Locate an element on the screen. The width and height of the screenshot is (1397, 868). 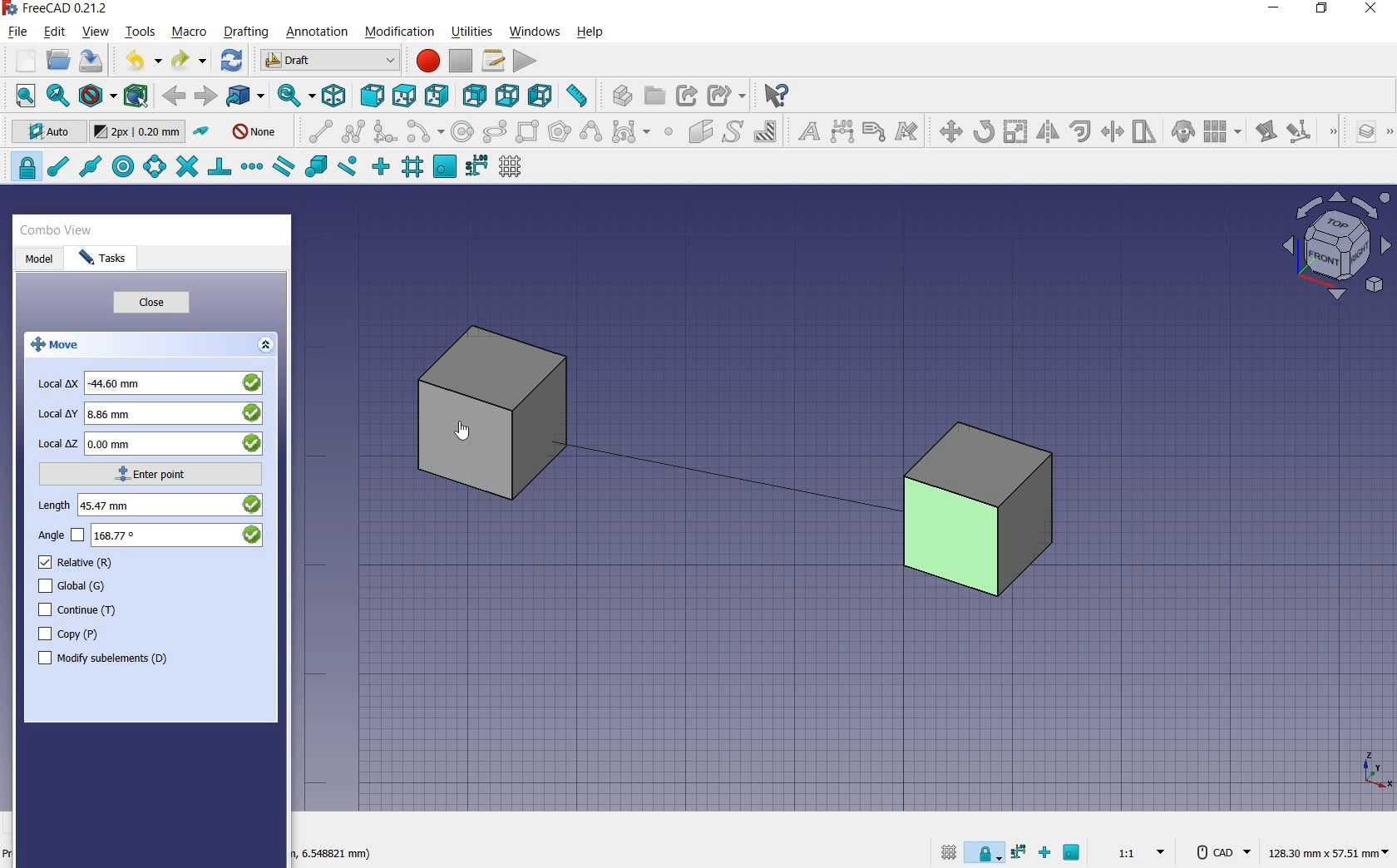
local x is located at coordinates (152, 383).